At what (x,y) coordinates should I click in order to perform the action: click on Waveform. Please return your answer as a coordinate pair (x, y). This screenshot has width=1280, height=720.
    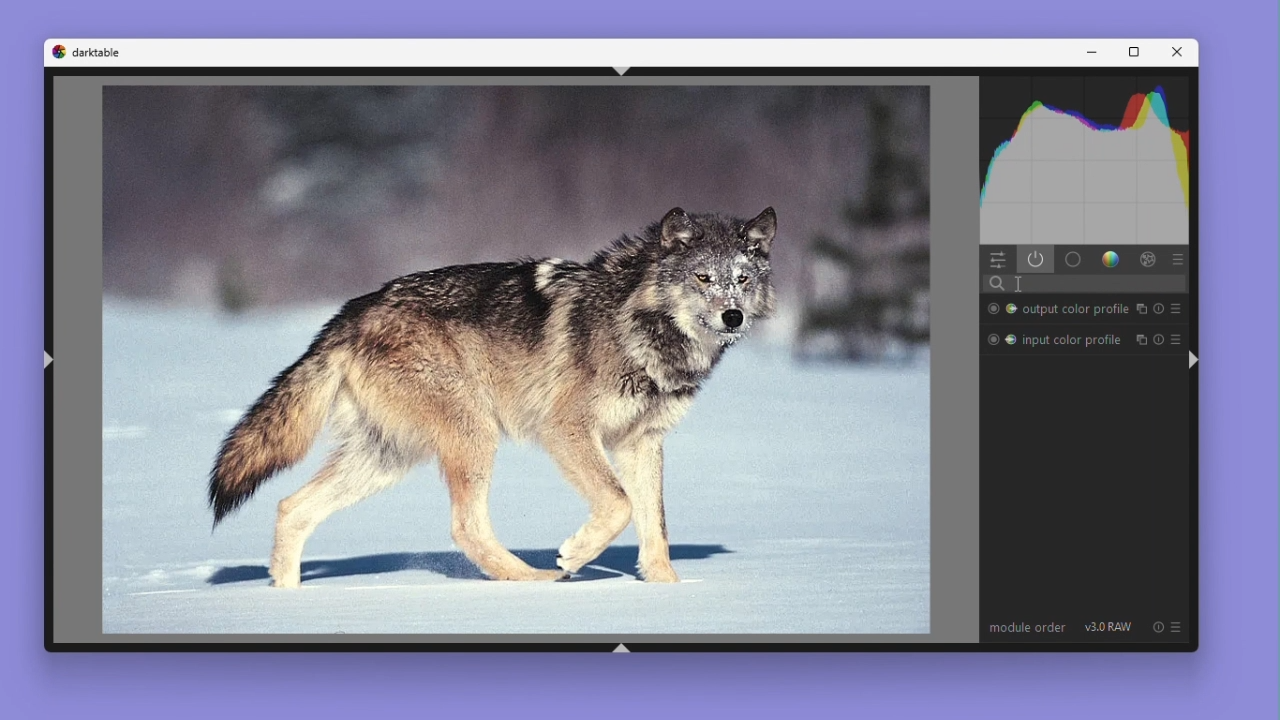
    Looking at the image, I should click on (1086, 163).